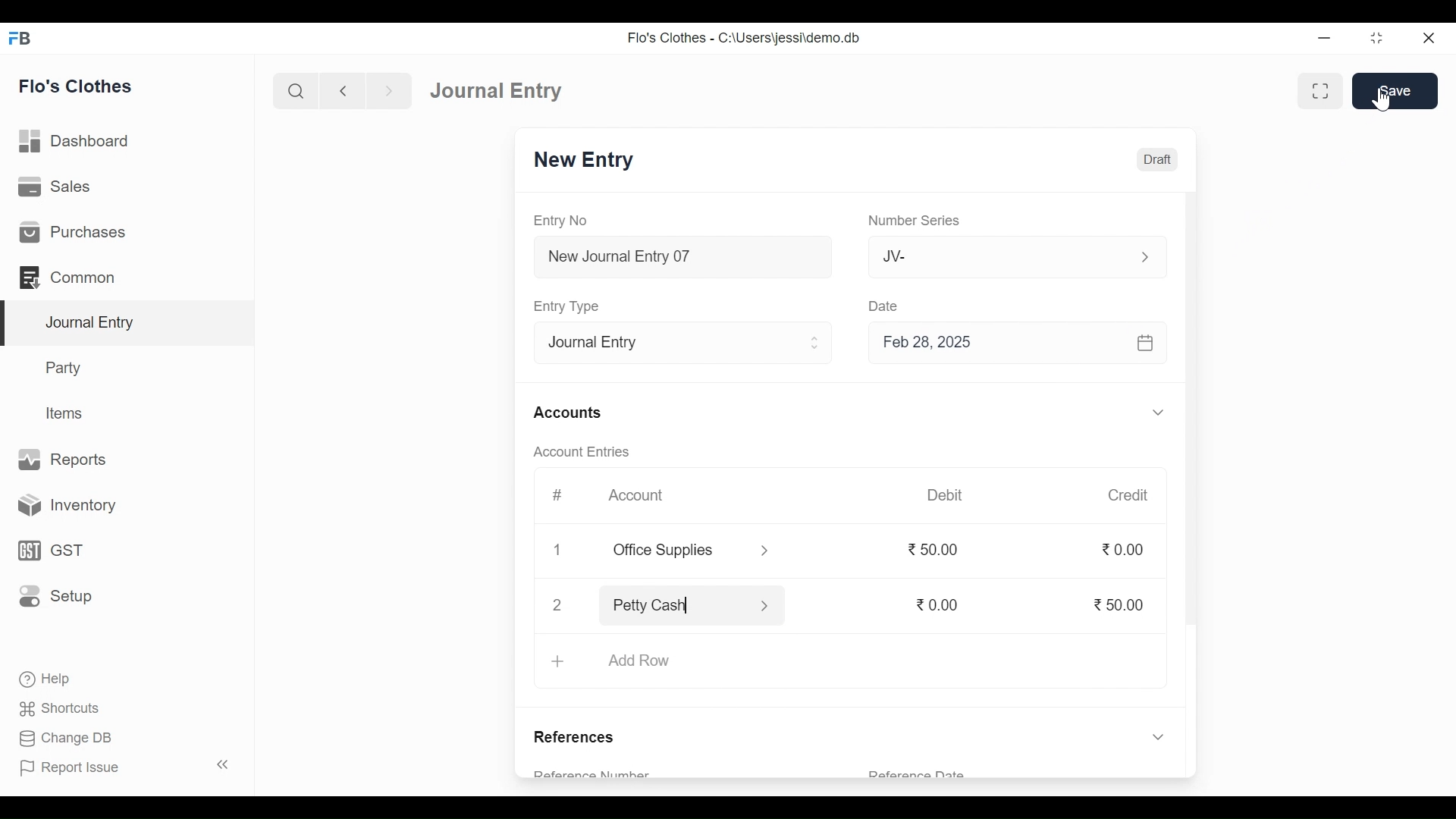 This screenshot has height=819, width=1456. What do you see at coordinates (64, 736) in the screenshot?
I see `Change DB` at bounding box center [64, 736].